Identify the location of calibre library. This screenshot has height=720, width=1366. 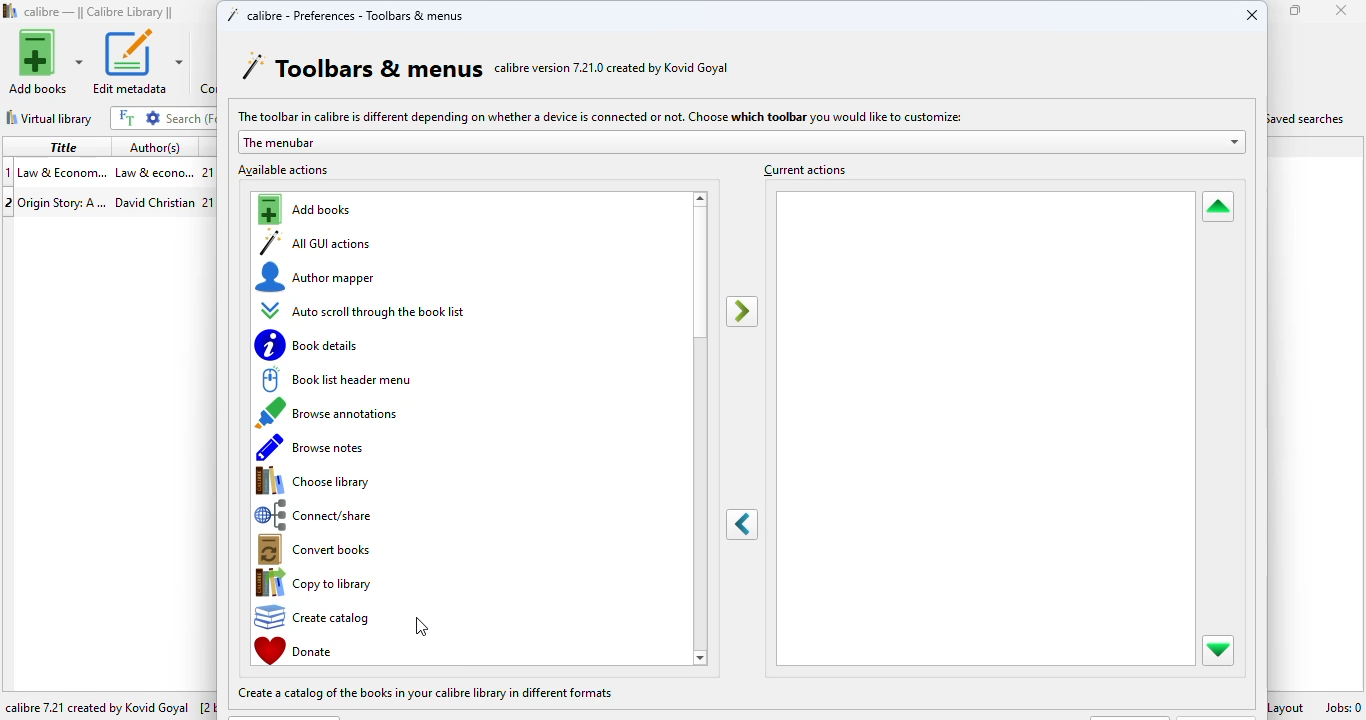
(100, 12).